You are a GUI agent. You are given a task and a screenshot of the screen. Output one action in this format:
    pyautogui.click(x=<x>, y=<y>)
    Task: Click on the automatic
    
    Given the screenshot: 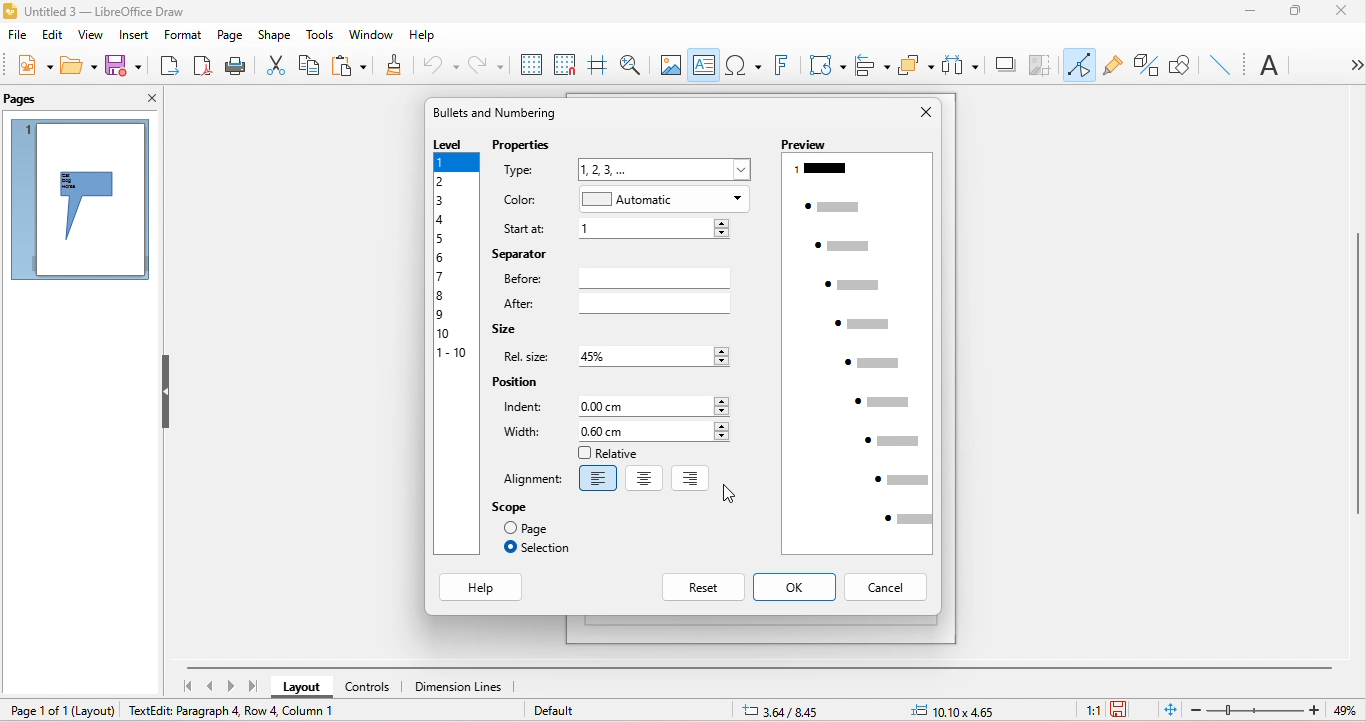 What is the action you would take?
    pyautogui.click(x=656, y=199)
    